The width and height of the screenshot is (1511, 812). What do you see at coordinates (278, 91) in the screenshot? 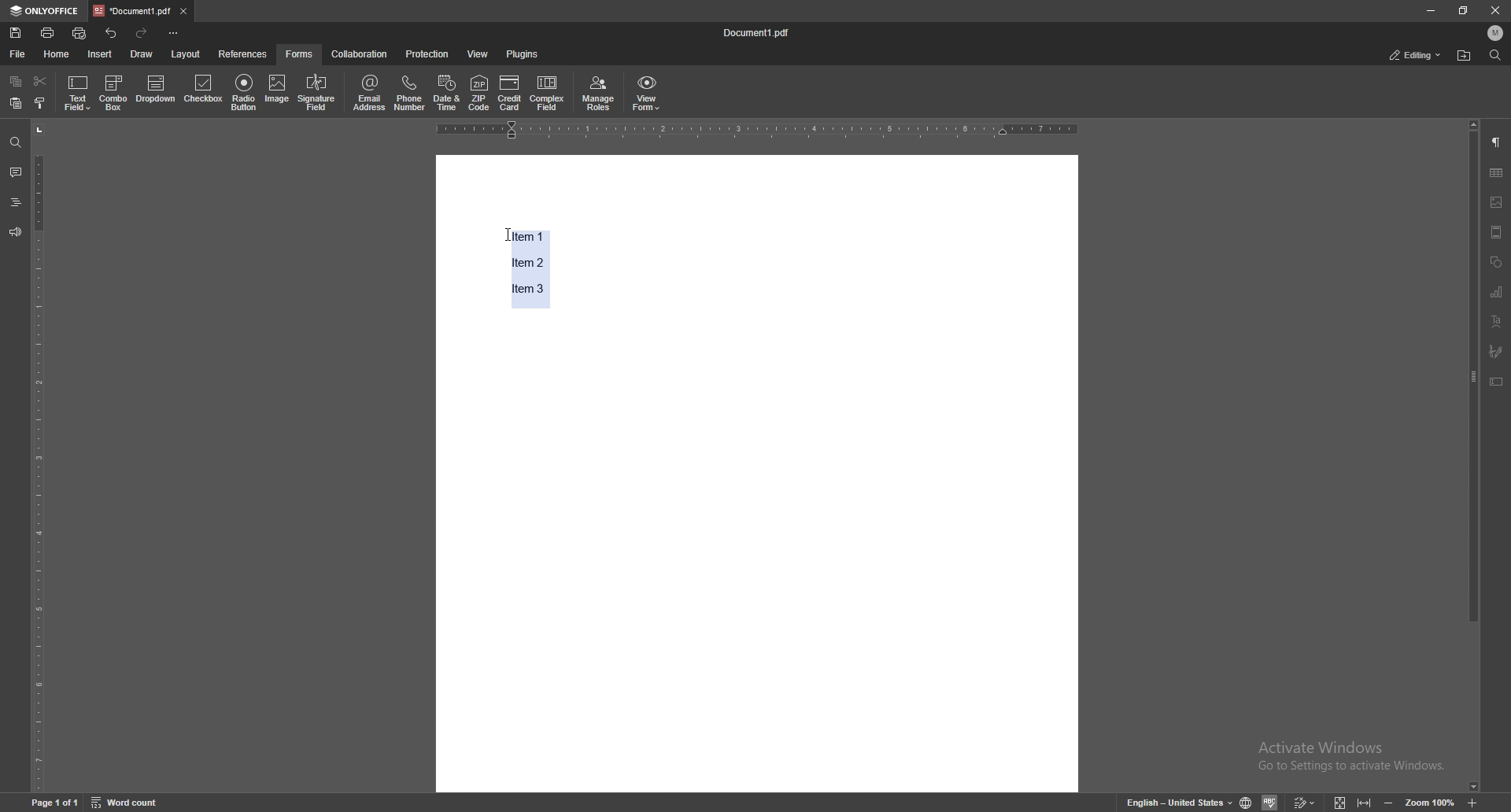
I see `image` at bounding box center [278, 91].